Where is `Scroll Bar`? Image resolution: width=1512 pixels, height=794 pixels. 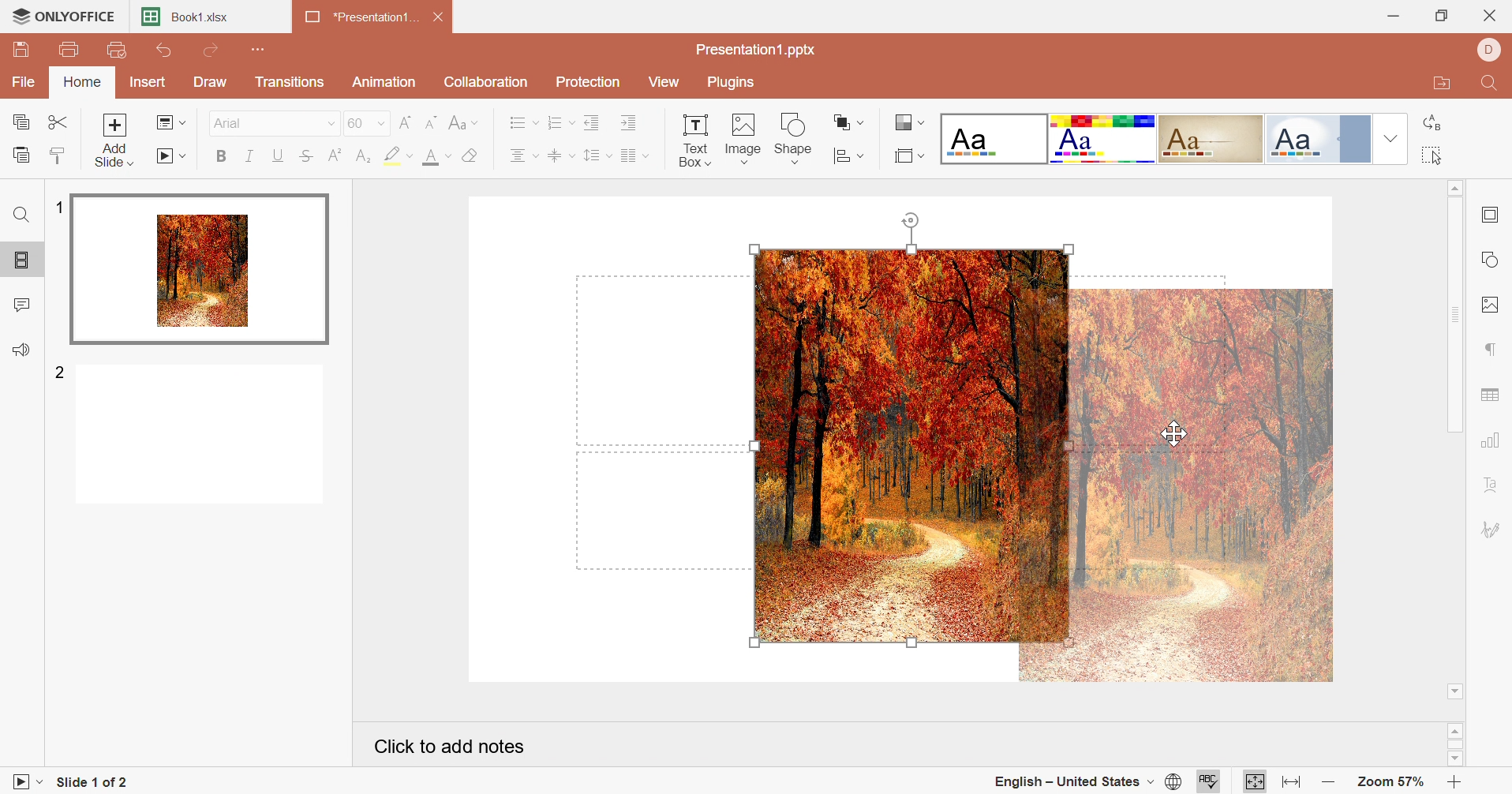 Scroll Bar is located at coordinates (1456, 744).